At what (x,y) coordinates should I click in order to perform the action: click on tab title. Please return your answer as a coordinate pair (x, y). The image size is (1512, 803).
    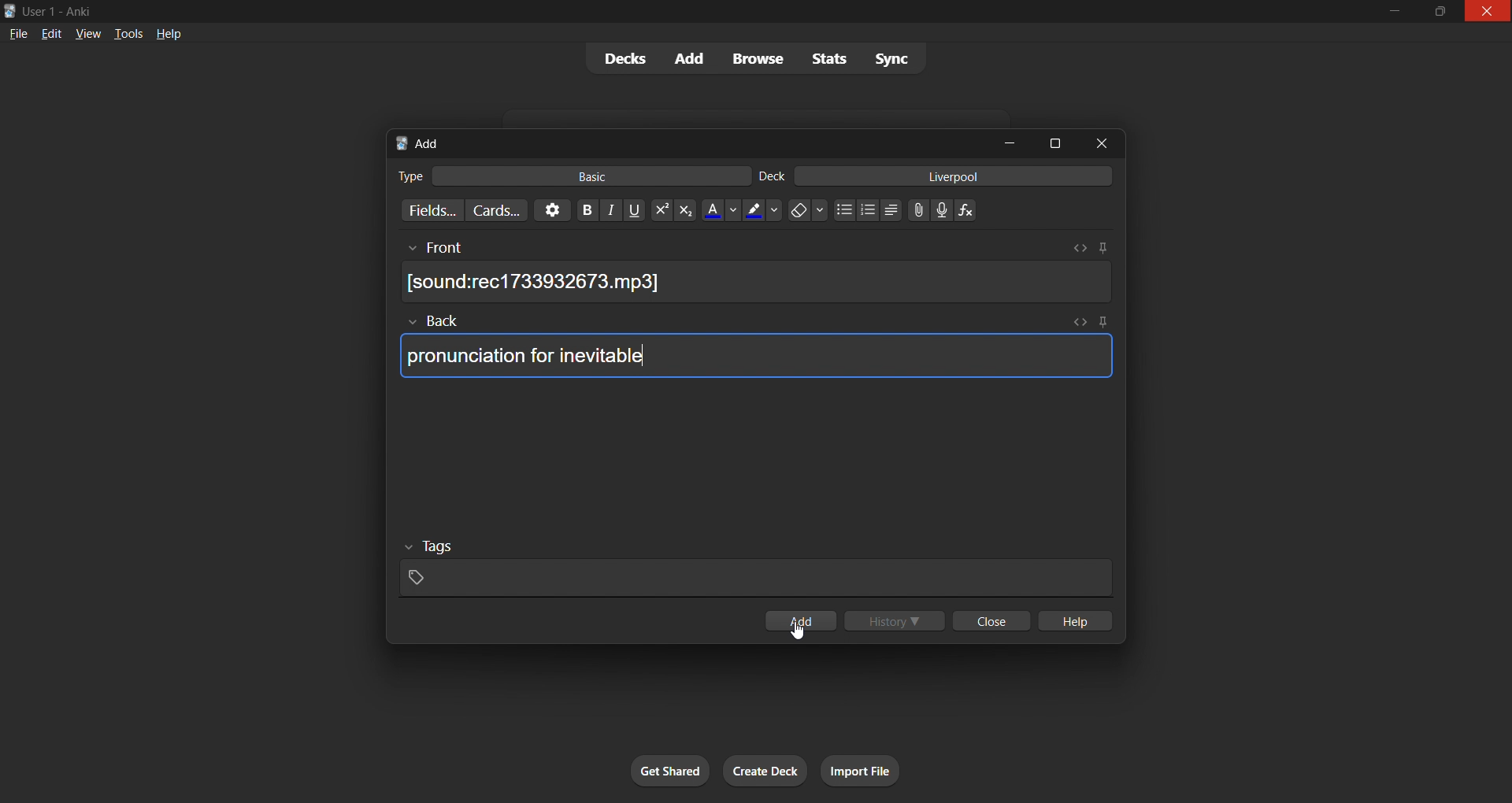
    Looking at the image, I should click on (686, 141).